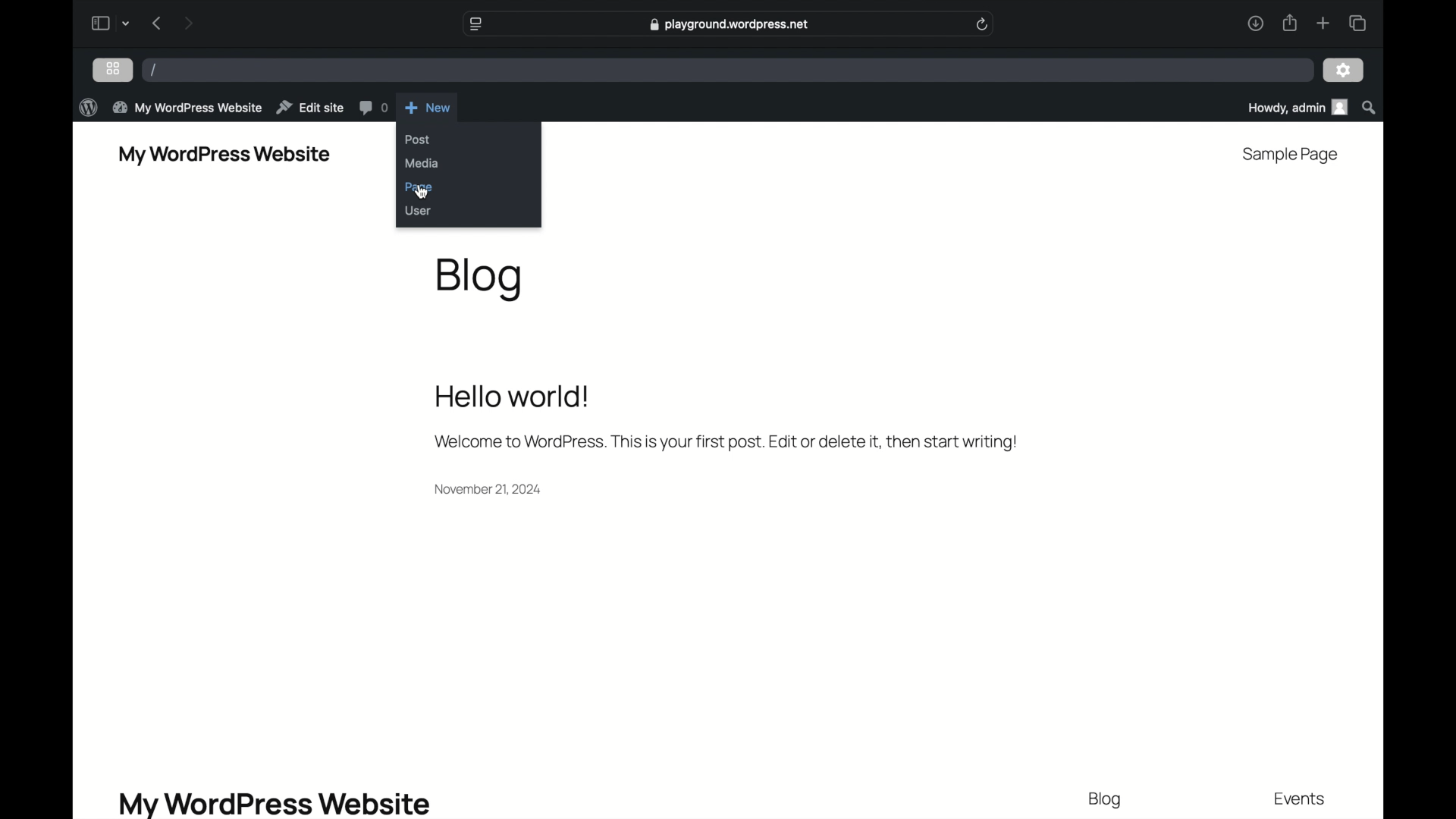  Describe the element at coordinates (1256, 24) in the screenshot. I see `downloads` at that location.